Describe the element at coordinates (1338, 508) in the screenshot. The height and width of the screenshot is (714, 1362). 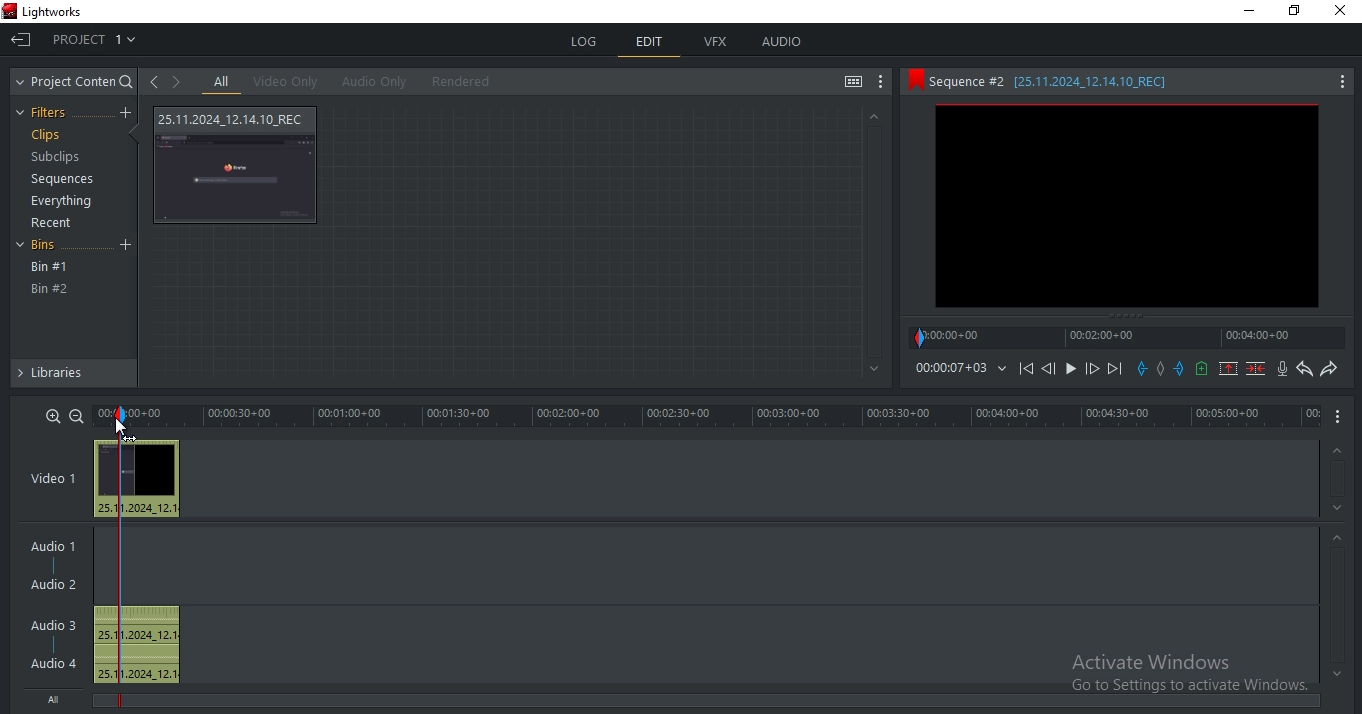
I see `Down` at that location.